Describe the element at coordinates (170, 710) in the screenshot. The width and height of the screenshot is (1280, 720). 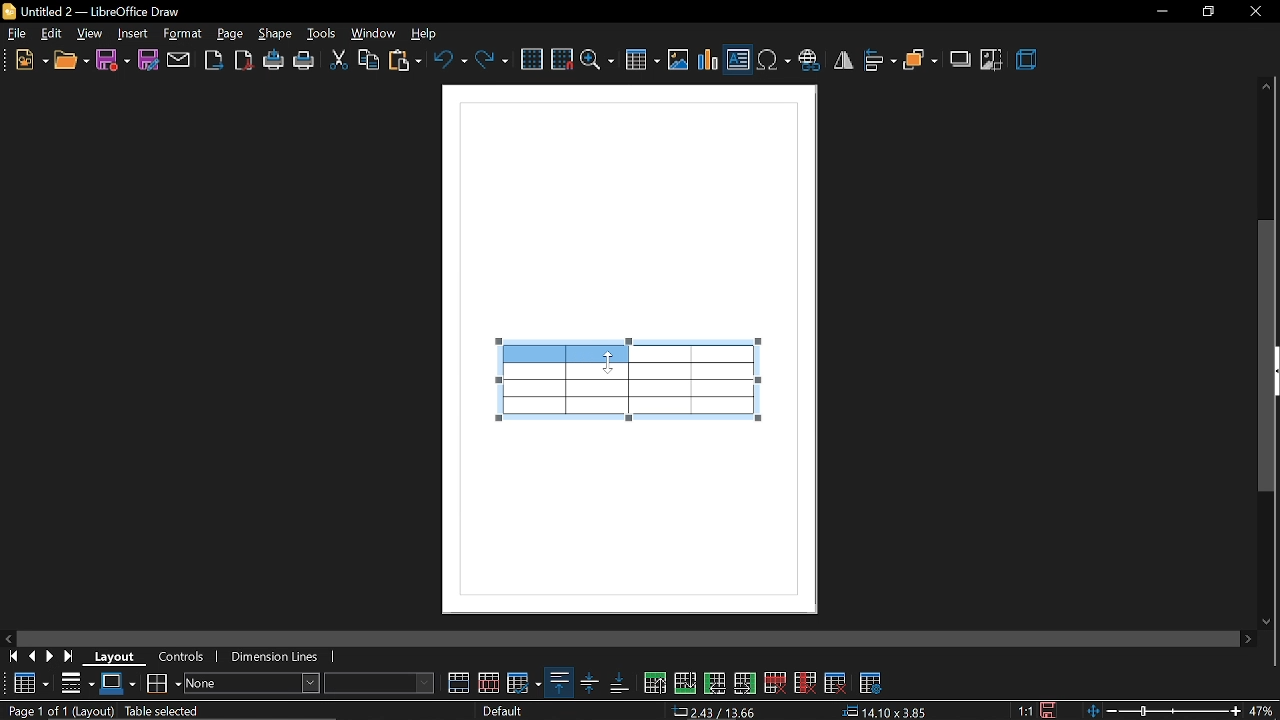
I see `table selected` at that location.